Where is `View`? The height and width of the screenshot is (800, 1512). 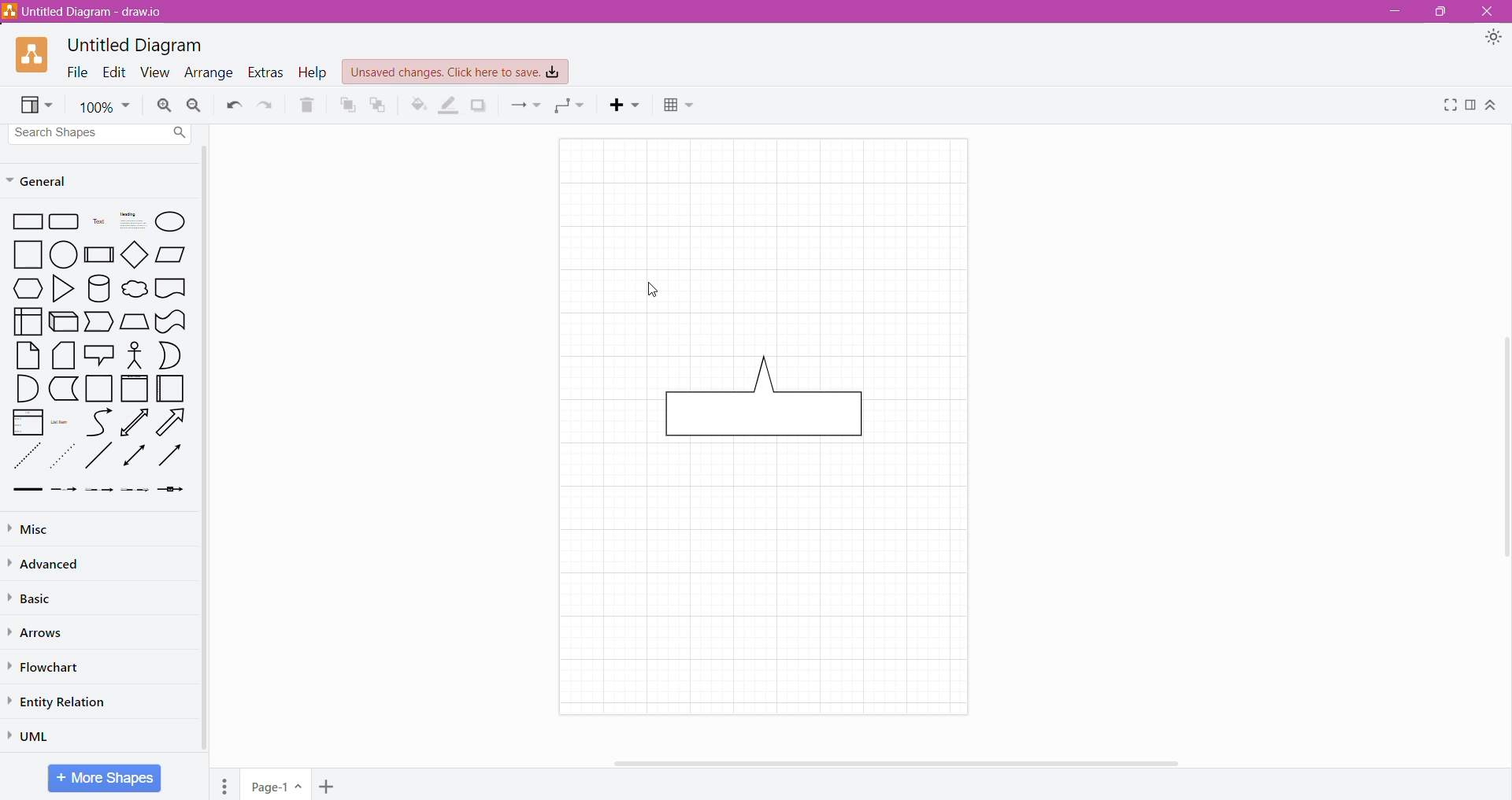
View is located at coordinates (156, 72).